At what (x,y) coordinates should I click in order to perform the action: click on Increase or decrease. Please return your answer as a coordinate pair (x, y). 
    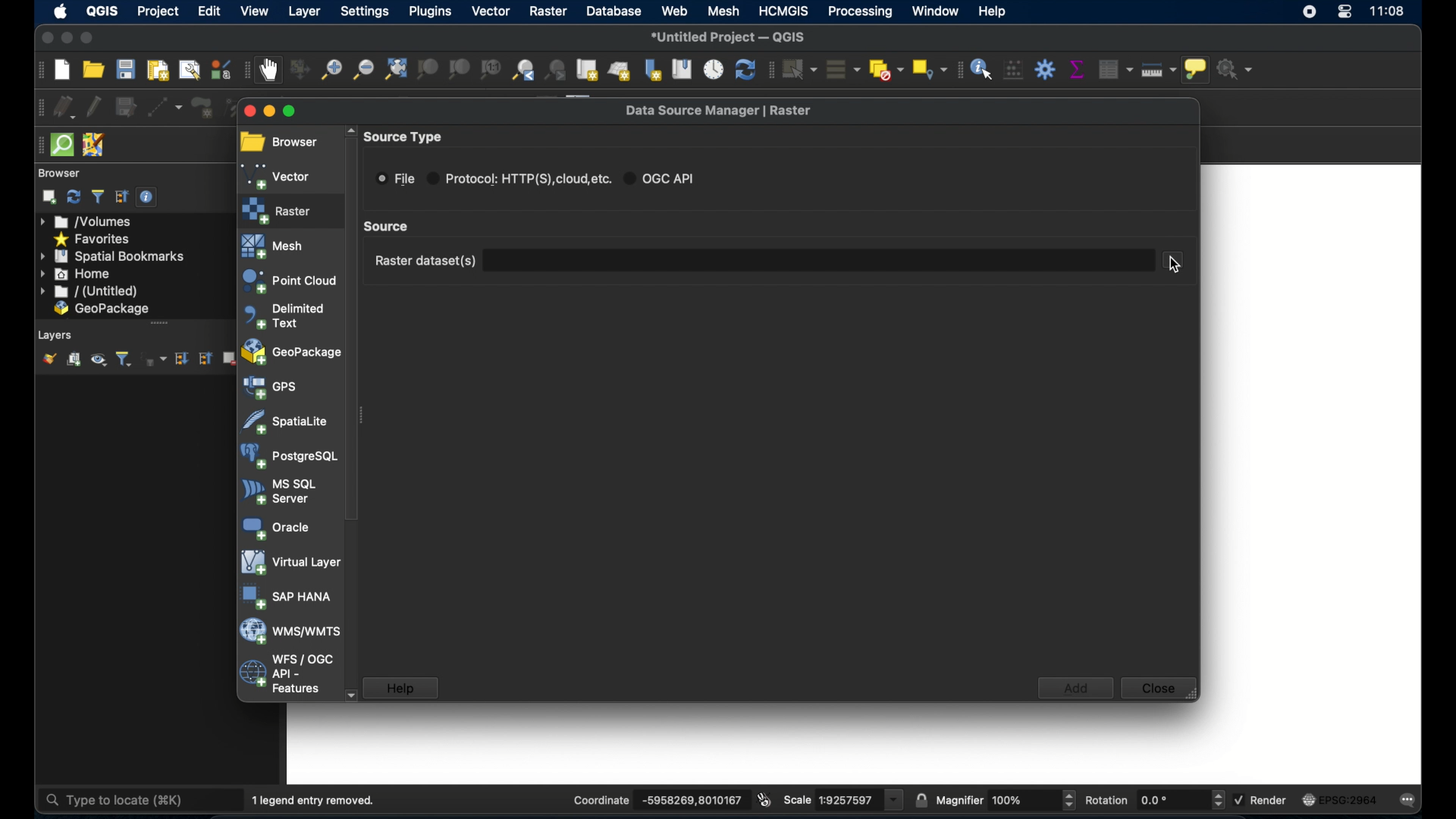
    Looking at the image, I should click on (1217, 800).